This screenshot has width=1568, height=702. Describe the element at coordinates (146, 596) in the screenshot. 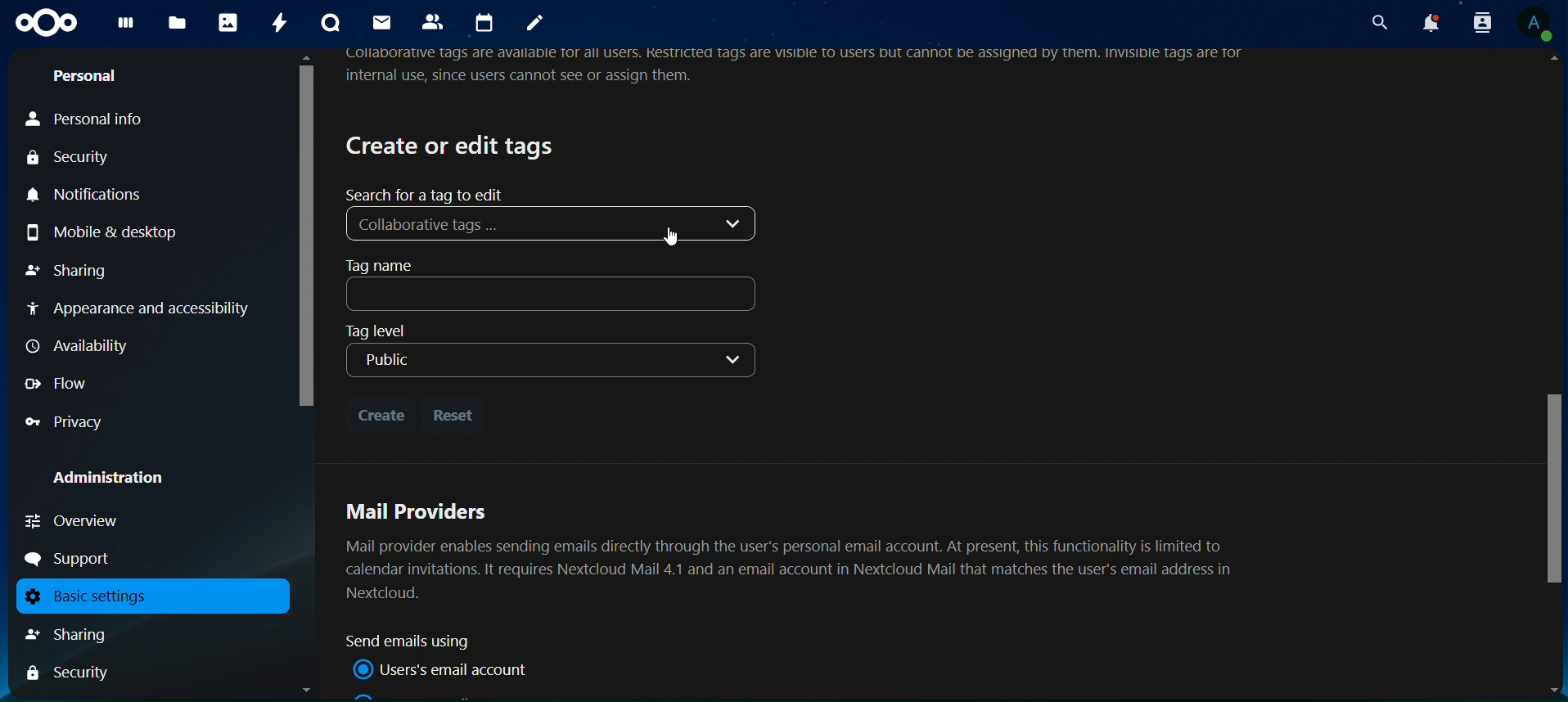

I see `basic settings` at that location.